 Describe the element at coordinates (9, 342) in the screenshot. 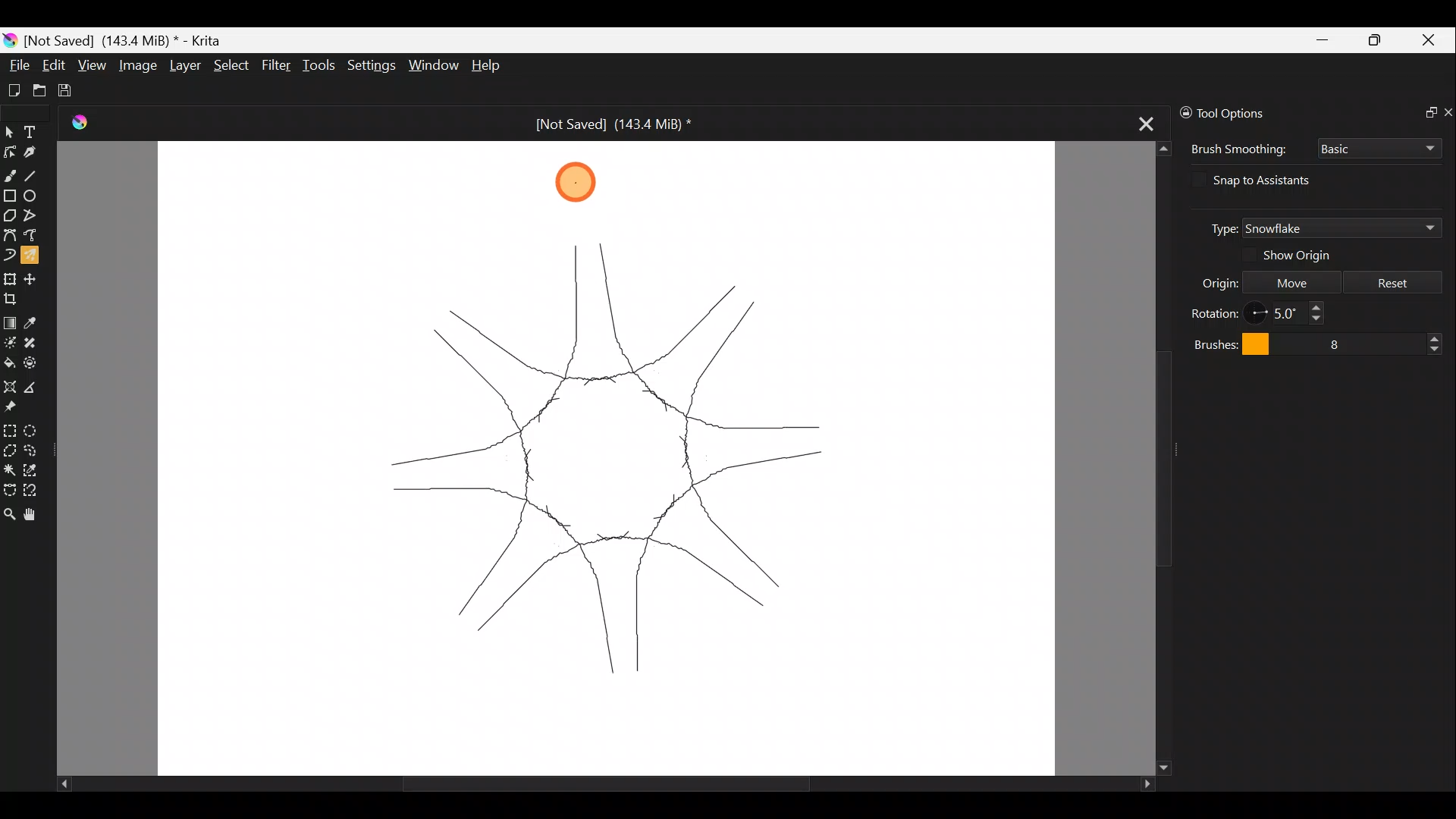

I see `Colorize mask tool` at that location.